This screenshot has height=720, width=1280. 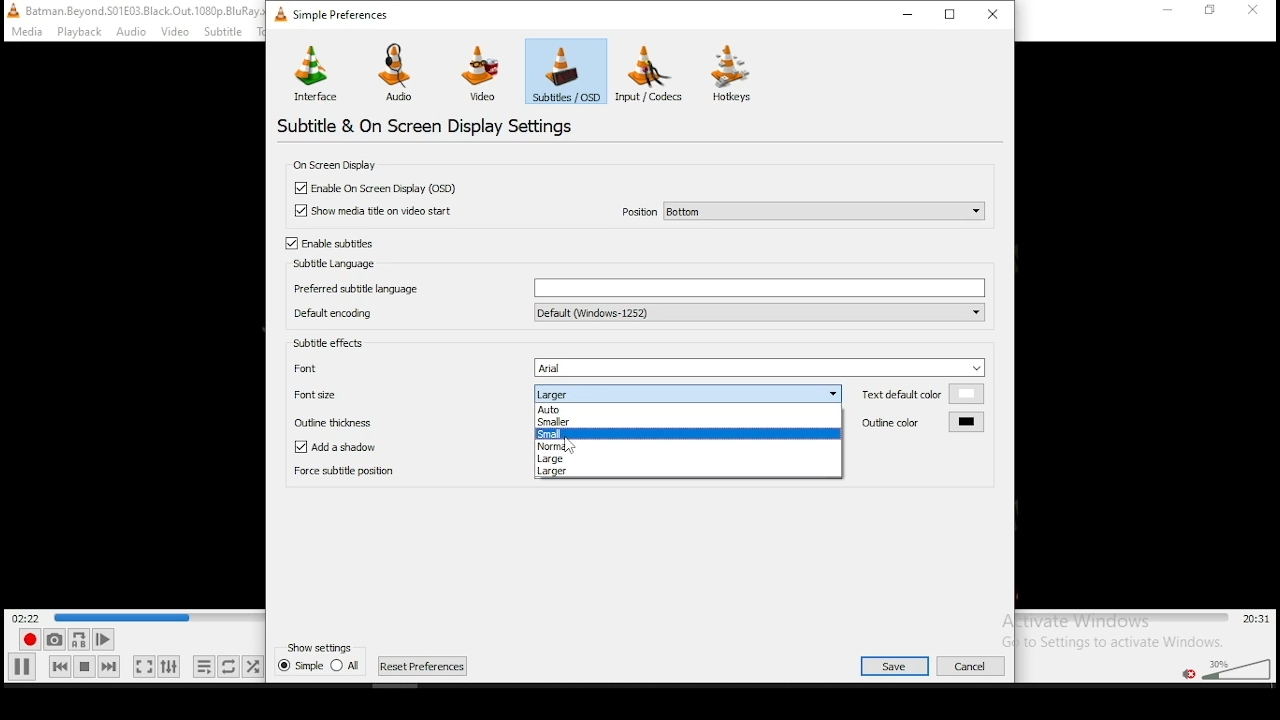 What do you see at coordinates (886, 663) in the screenshot?
I see `` at bounding box center [886, 663].